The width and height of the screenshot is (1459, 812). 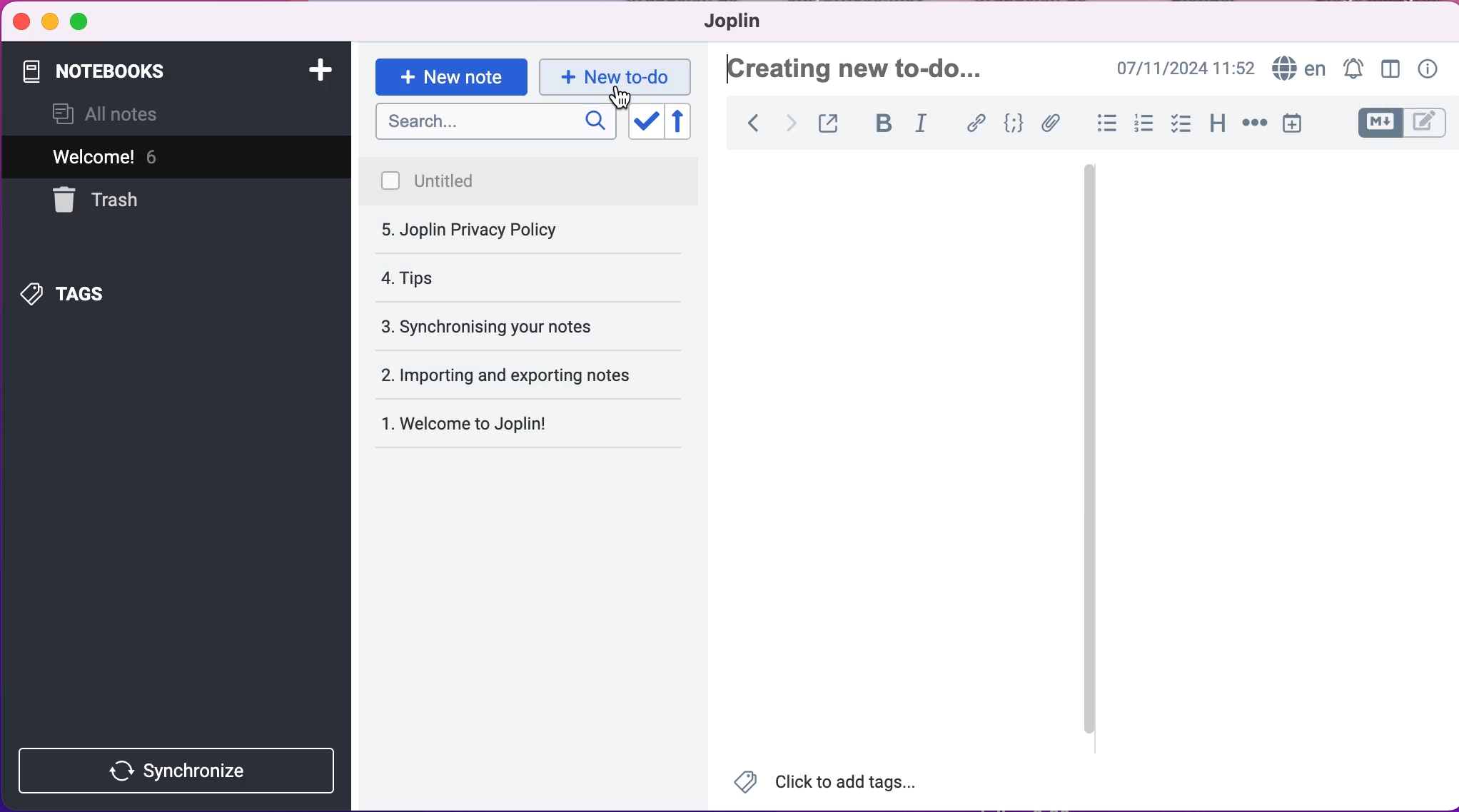 I want to click on horizontal rule, so click(x=1252, y=128).